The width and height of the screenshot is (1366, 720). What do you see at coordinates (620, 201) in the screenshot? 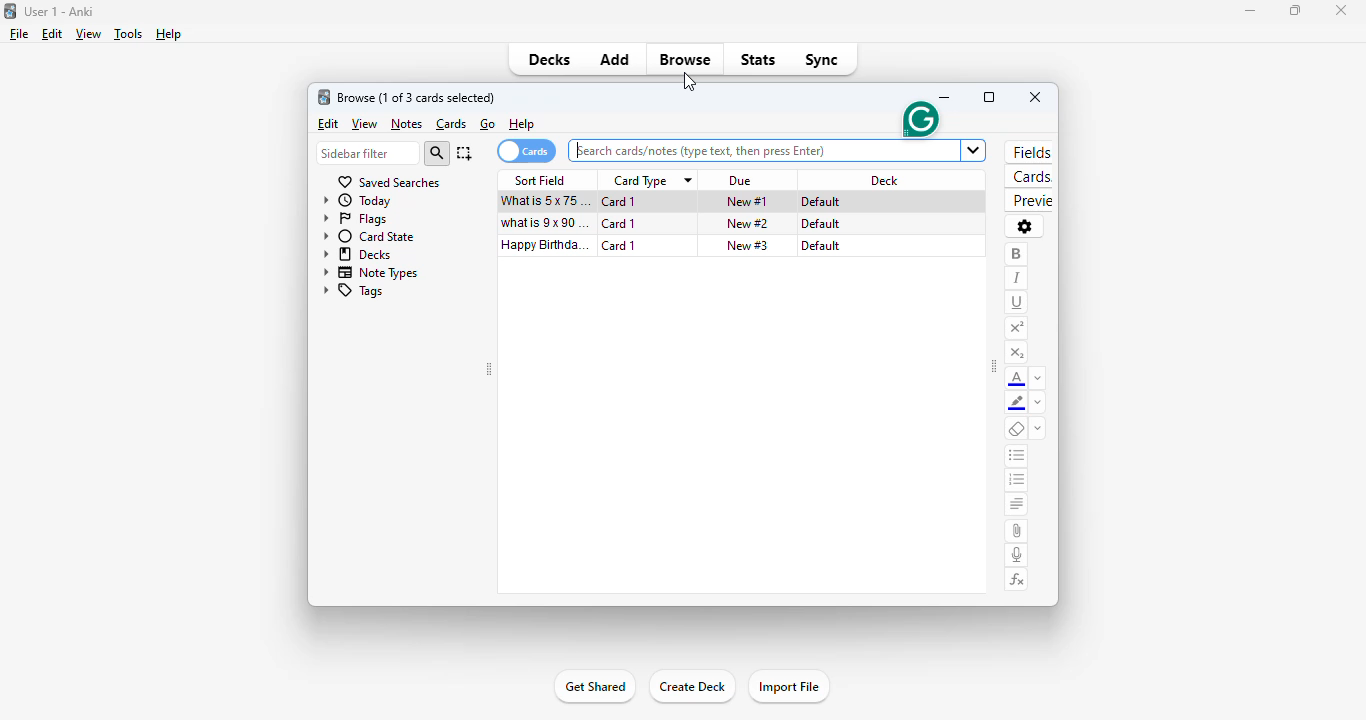
I see `card 1` at bounding box center [620, 201].